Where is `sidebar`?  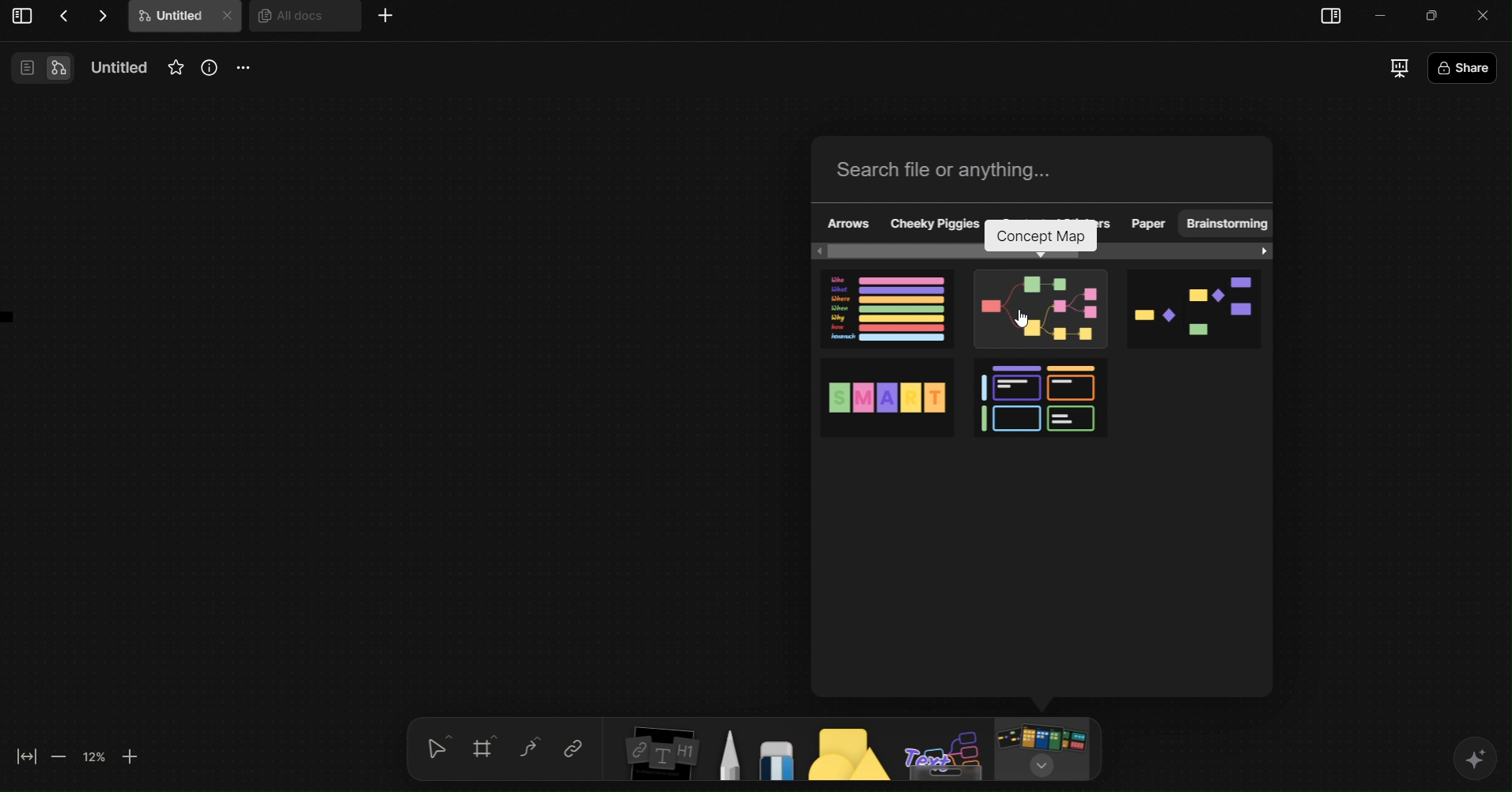
sidebar is located at coordinates (1333, 17).